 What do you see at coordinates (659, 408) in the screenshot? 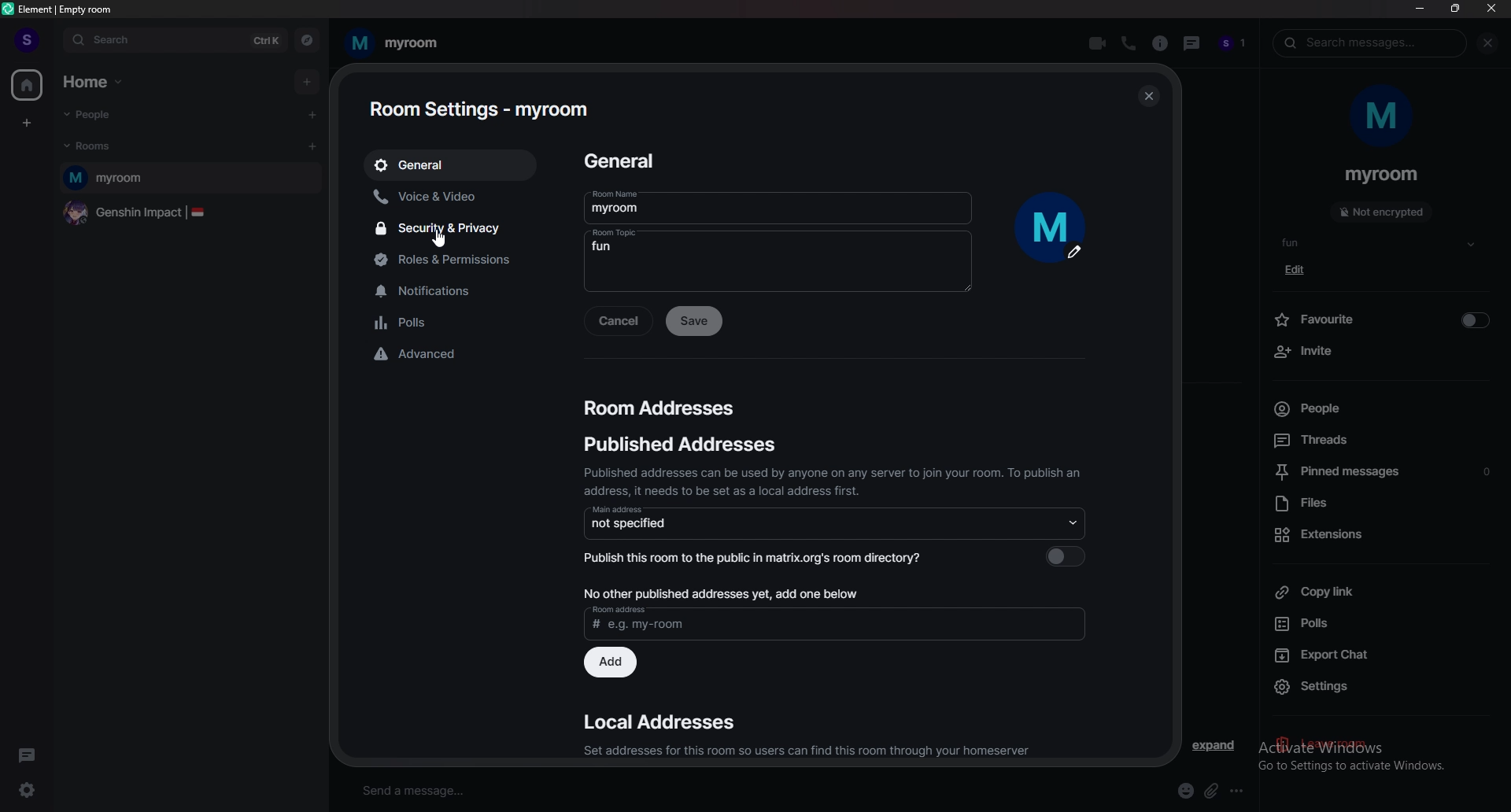
I see `room addresses` at bounding box center [659, 408].